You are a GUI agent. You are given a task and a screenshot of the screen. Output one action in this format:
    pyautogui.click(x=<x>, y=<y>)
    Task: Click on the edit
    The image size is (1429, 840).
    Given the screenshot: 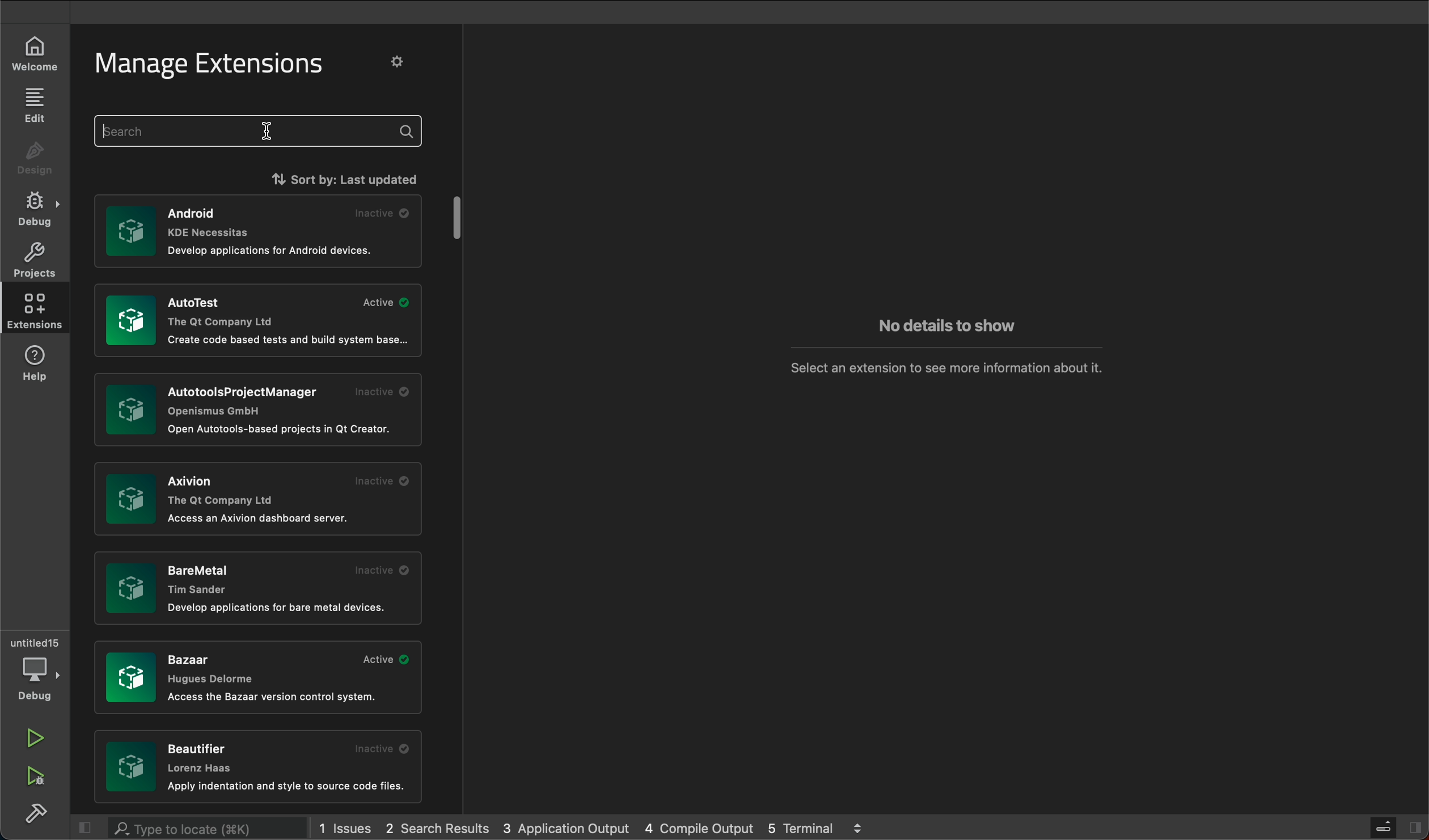 What is the action you would take?
    pyautogui.click(x=33, y=104)
    